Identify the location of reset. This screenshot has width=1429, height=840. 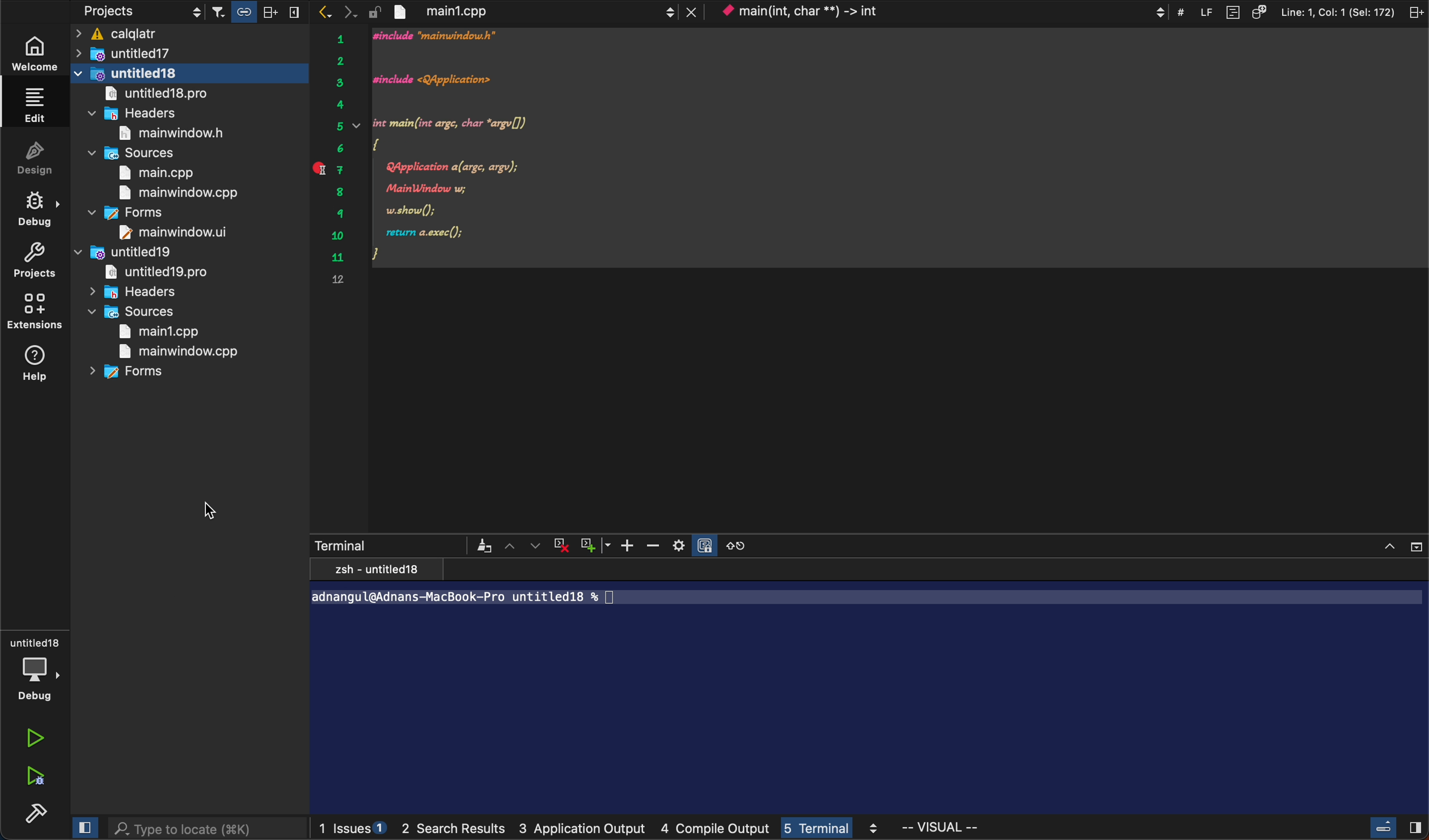
(746, 545).